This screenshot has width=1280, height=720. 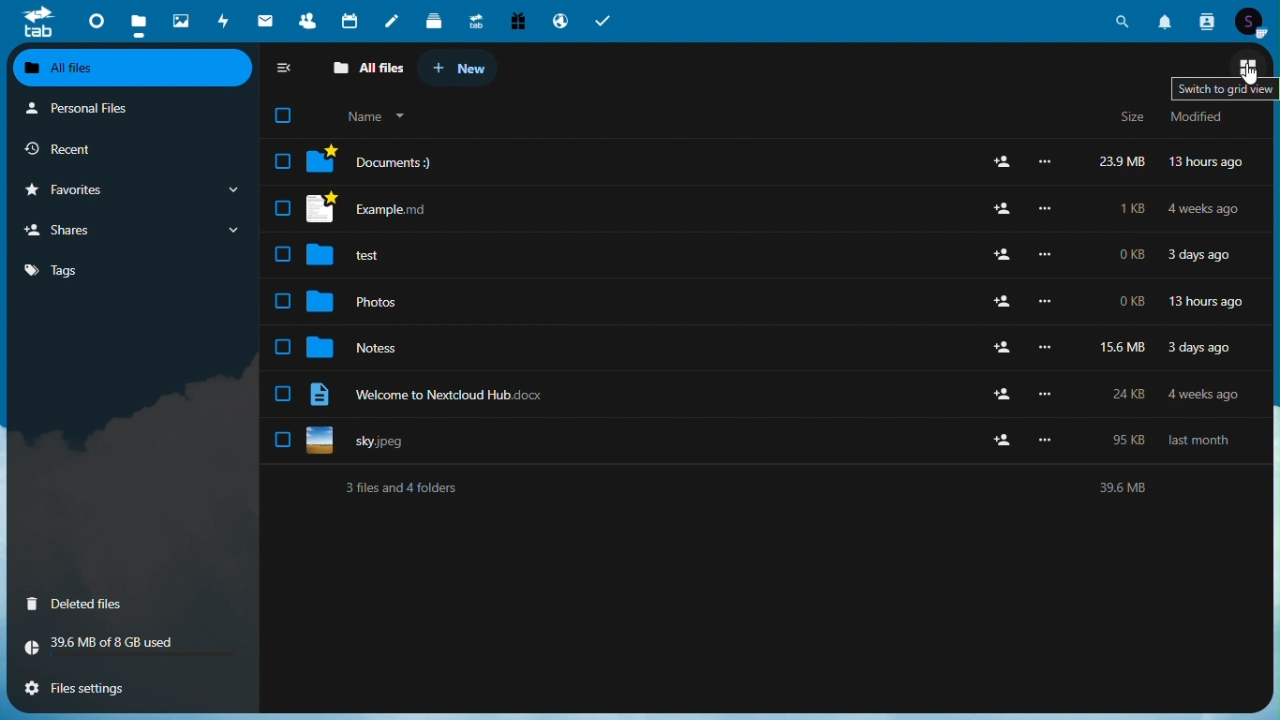 What do you see at coordinates (1130, 301) in the screenshot?
I see `0kb` at bounding box center [1130, 301].